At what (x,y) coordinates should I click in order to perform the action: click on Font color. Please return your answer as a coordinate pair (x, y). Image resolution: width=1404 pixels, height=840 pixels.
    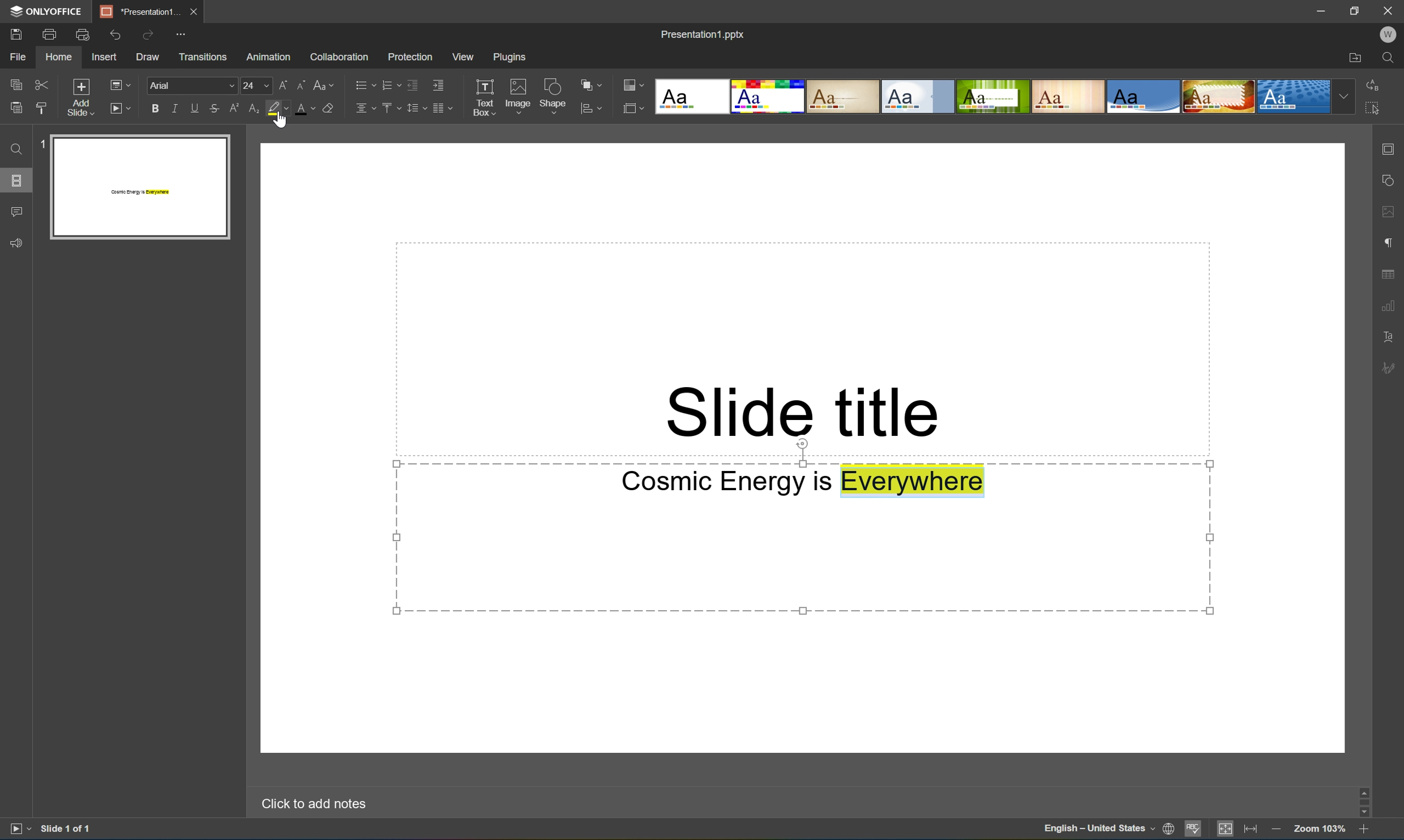
    Looking at the image, I should click on (307, 106).